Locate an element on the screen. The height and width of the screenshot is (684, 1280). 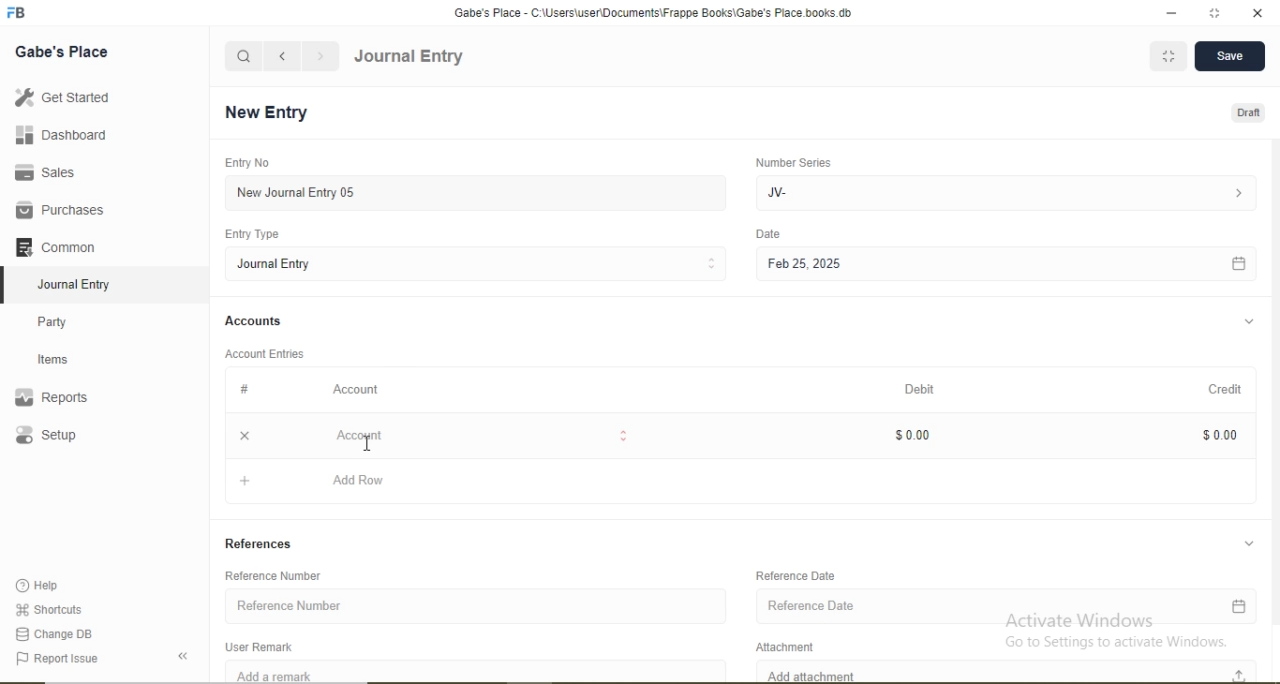
+ Add Row is located at coordinates (743, 484).